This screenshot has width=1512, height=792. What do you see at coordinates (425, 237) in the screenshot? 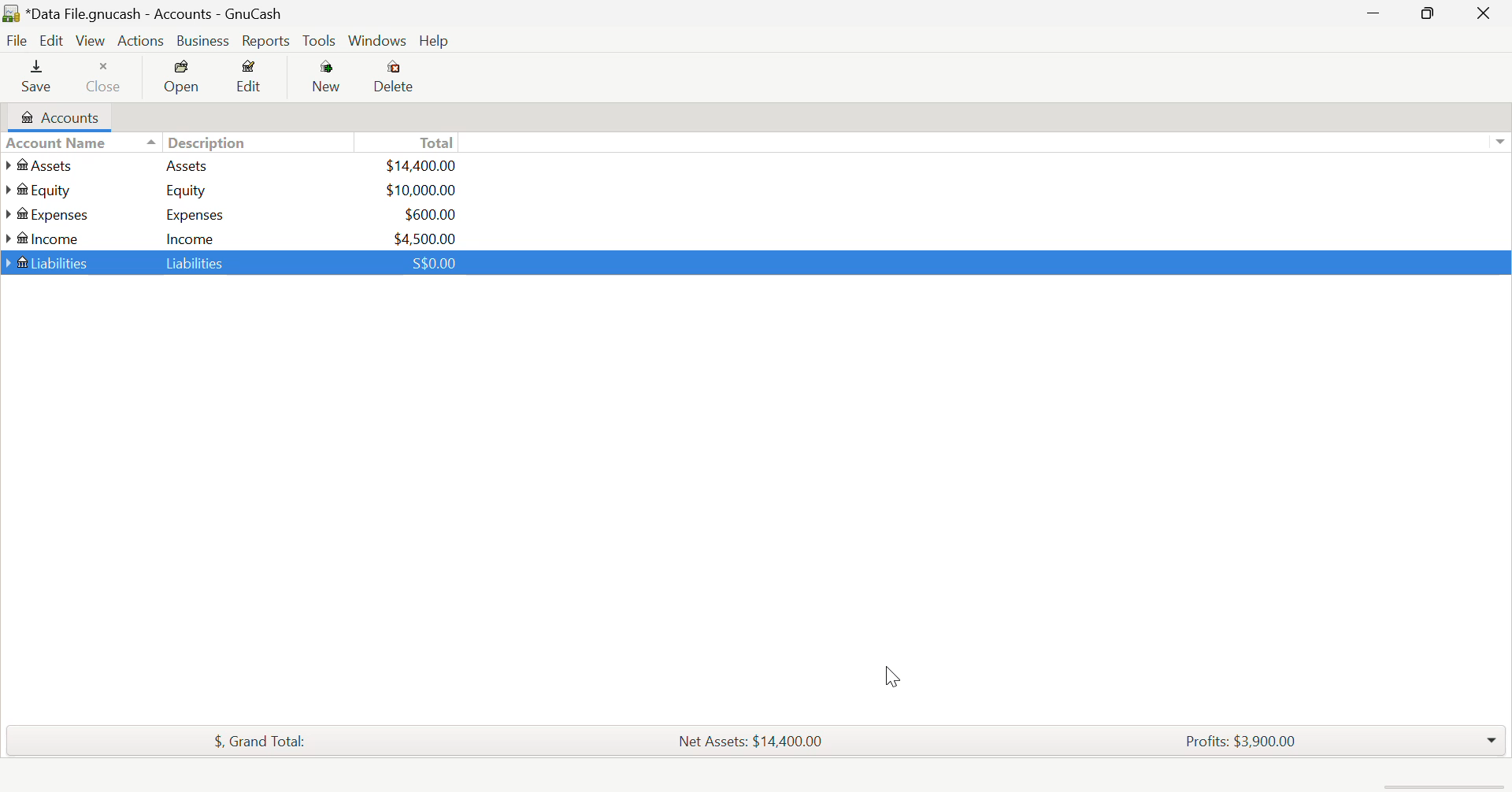
I see `USD` at bounding box center [425, 237].